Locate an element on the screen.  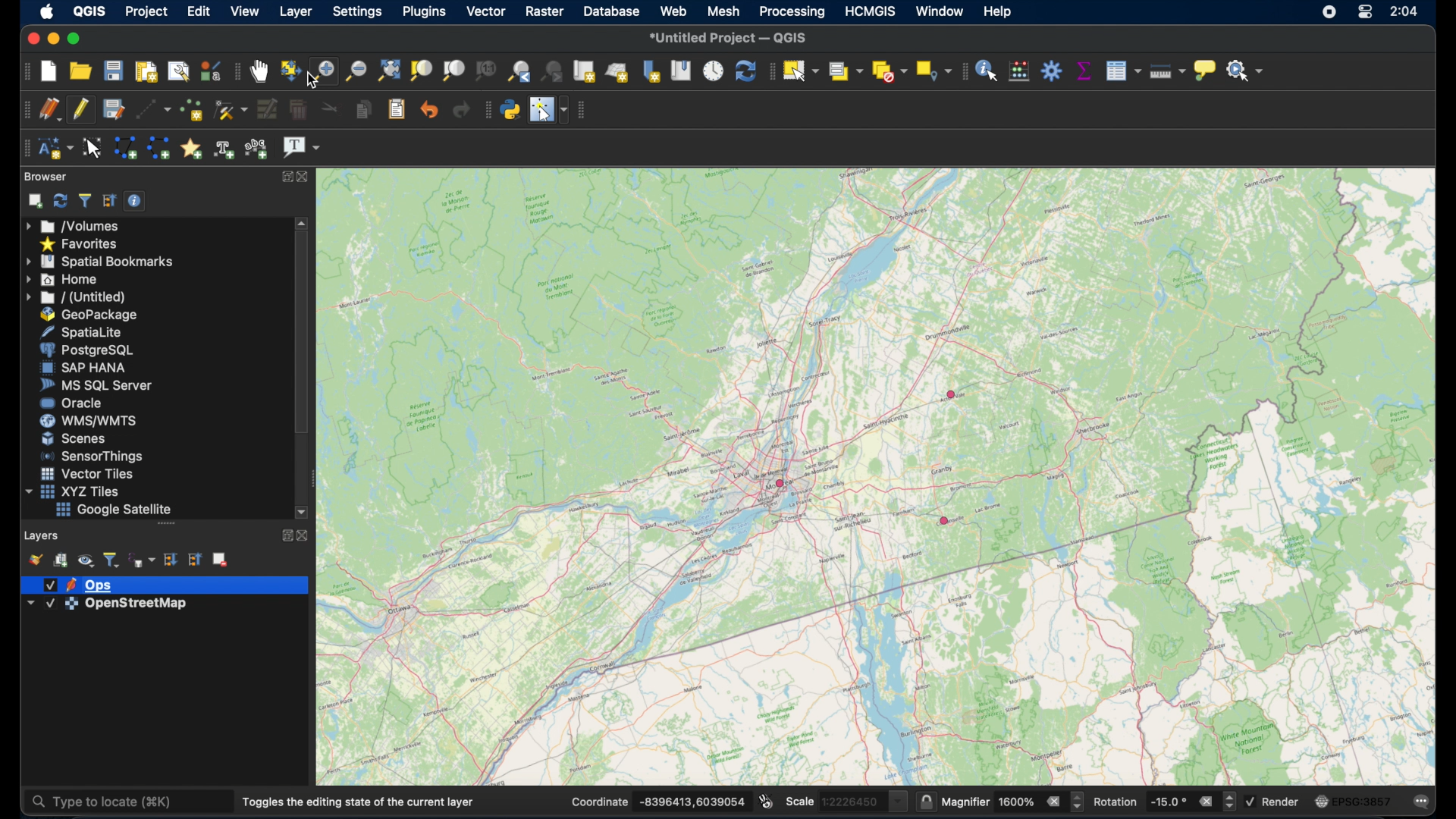
modify annotations is located at coordinates (93, 149).